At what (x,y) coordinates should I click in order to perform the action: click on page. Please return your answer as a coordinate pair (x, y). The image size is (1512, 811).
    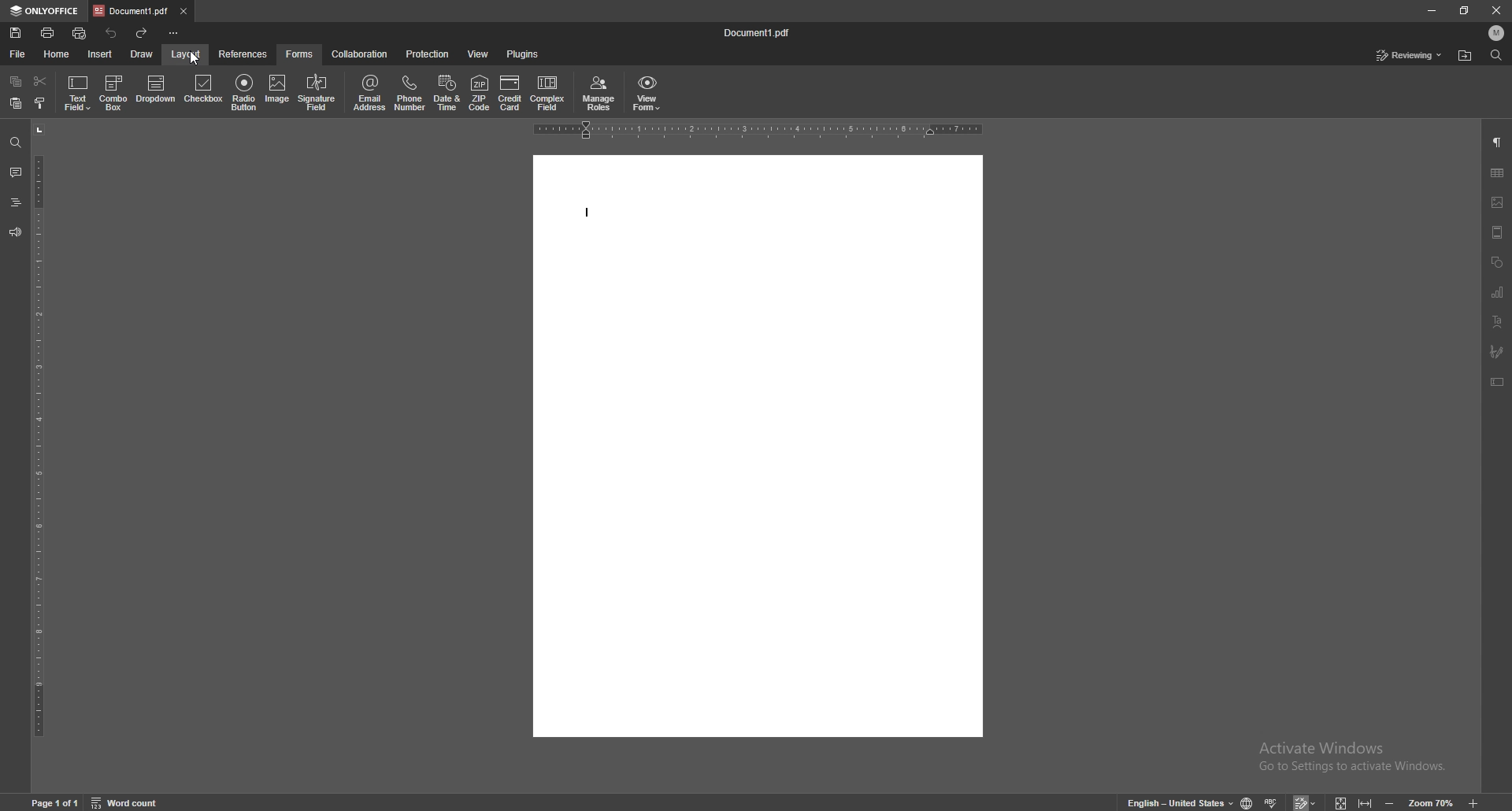
    Looking at the image, I should click on (56, 803).